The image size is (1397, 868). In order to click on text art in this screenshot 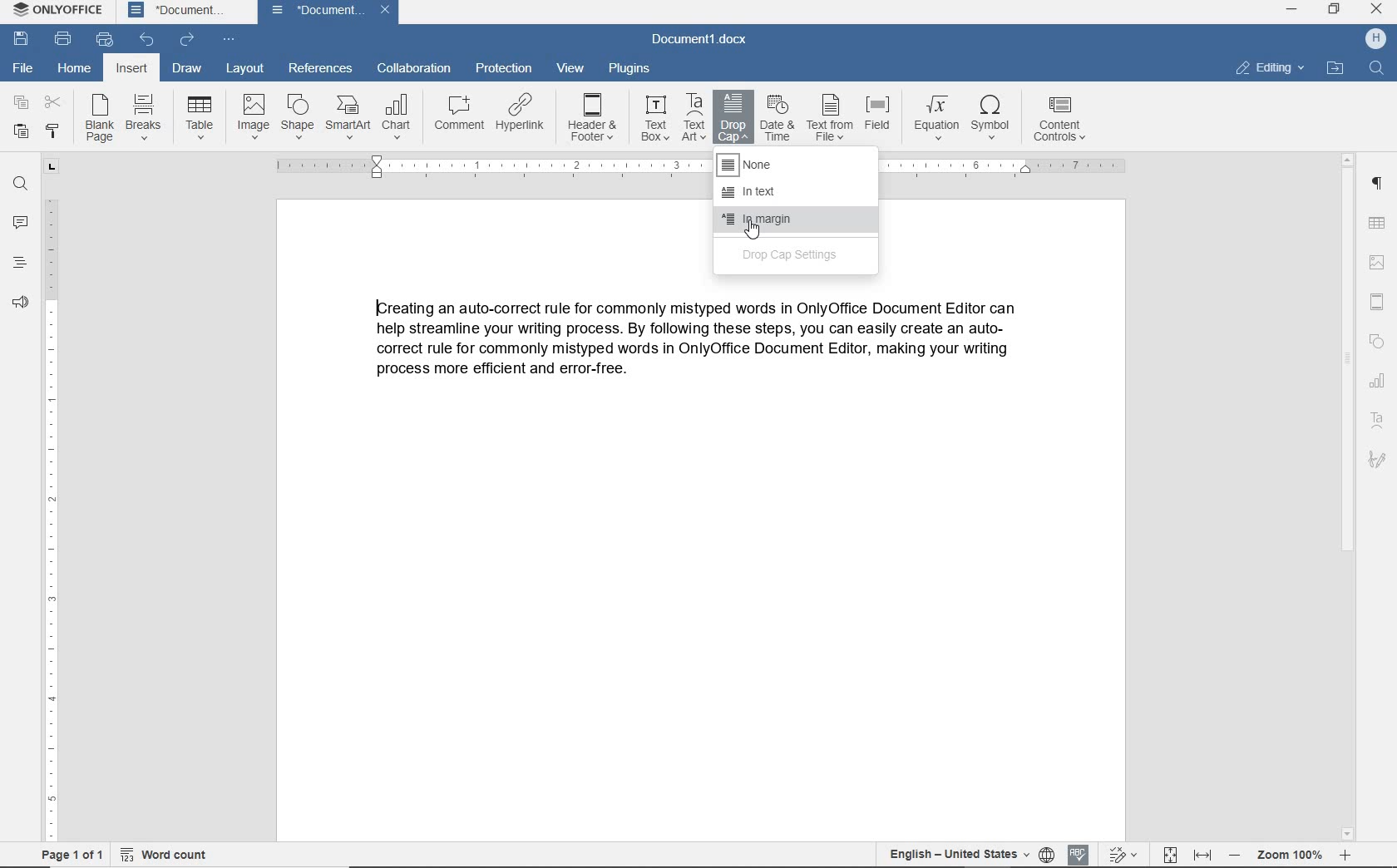, I will do `click(1380, 420)`.